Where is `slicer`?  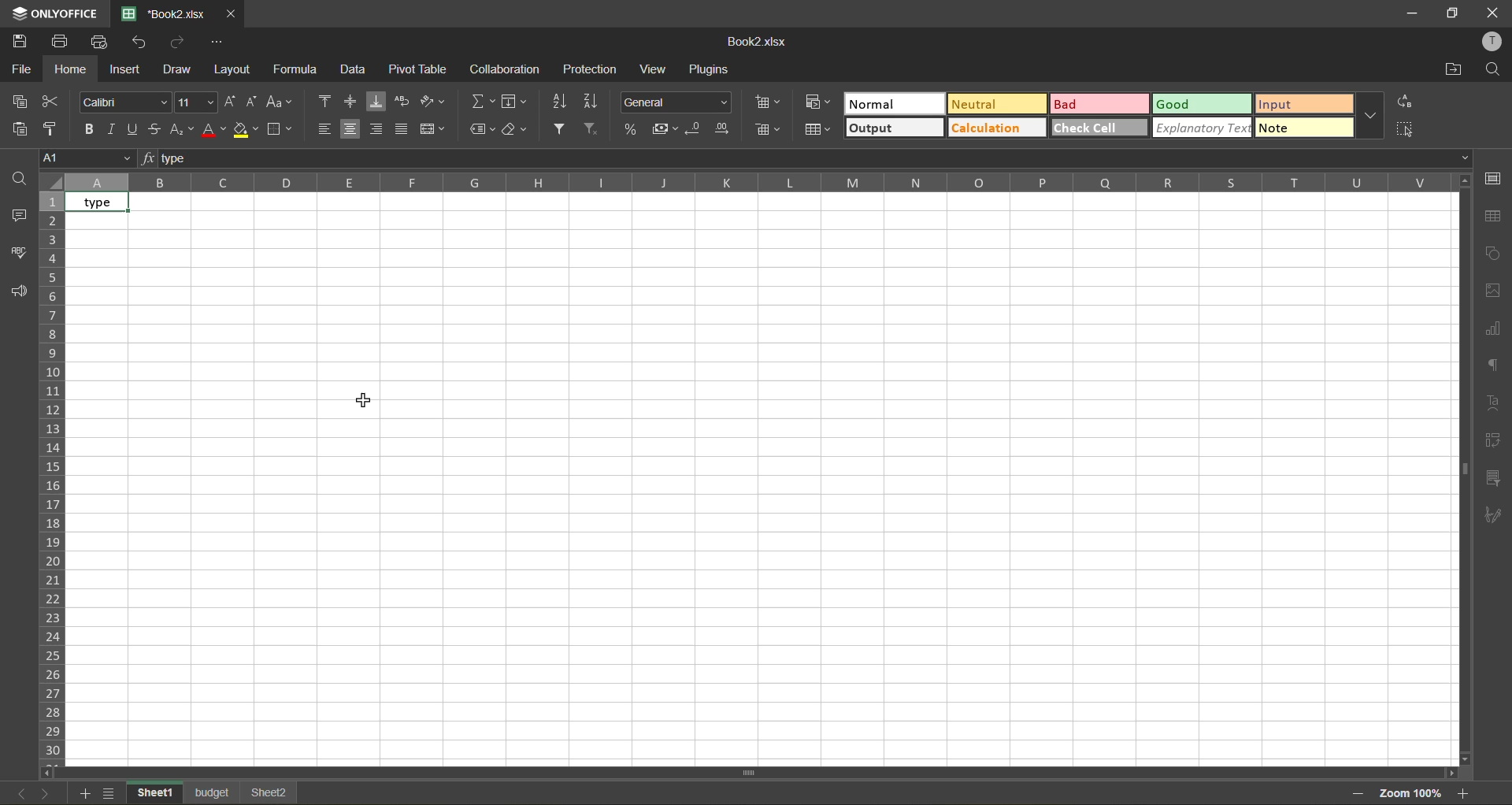 slicer is located at coordinates (1492, 481).